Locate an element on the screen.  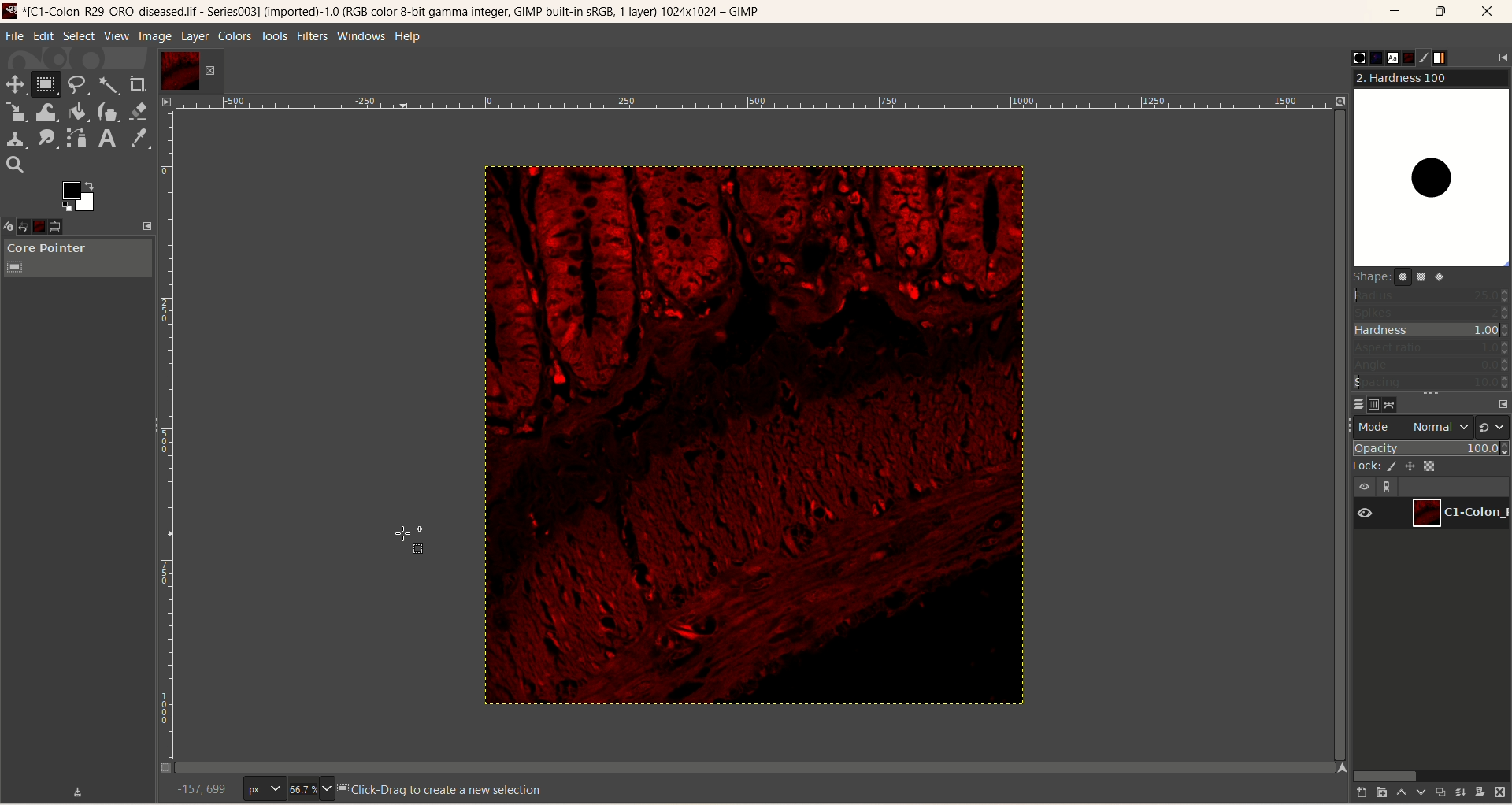
shapes is located at coordinates (1408, 280).